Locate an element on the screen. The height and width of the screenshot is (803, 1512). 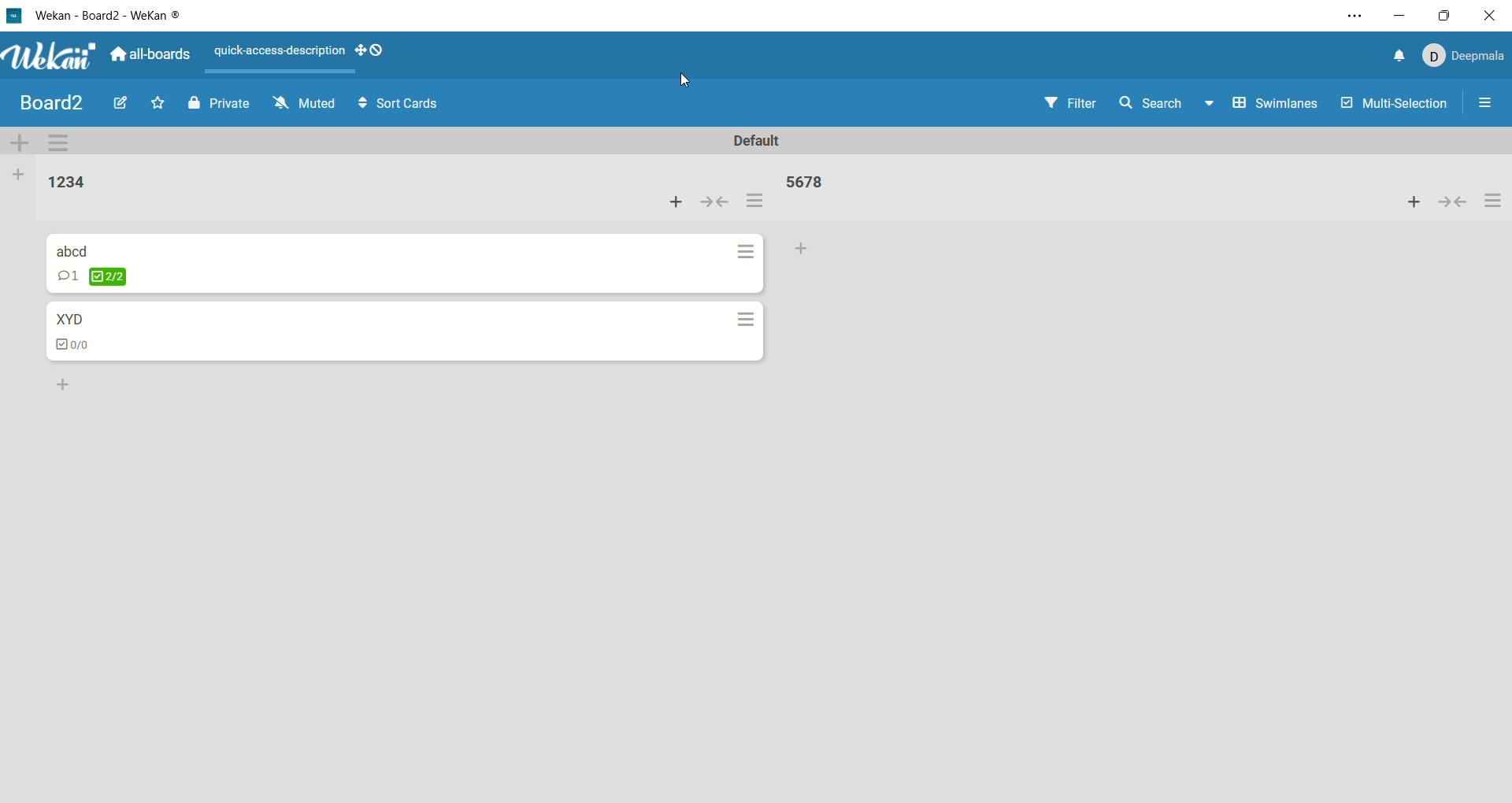
add is located at coordinates (1407, 202).